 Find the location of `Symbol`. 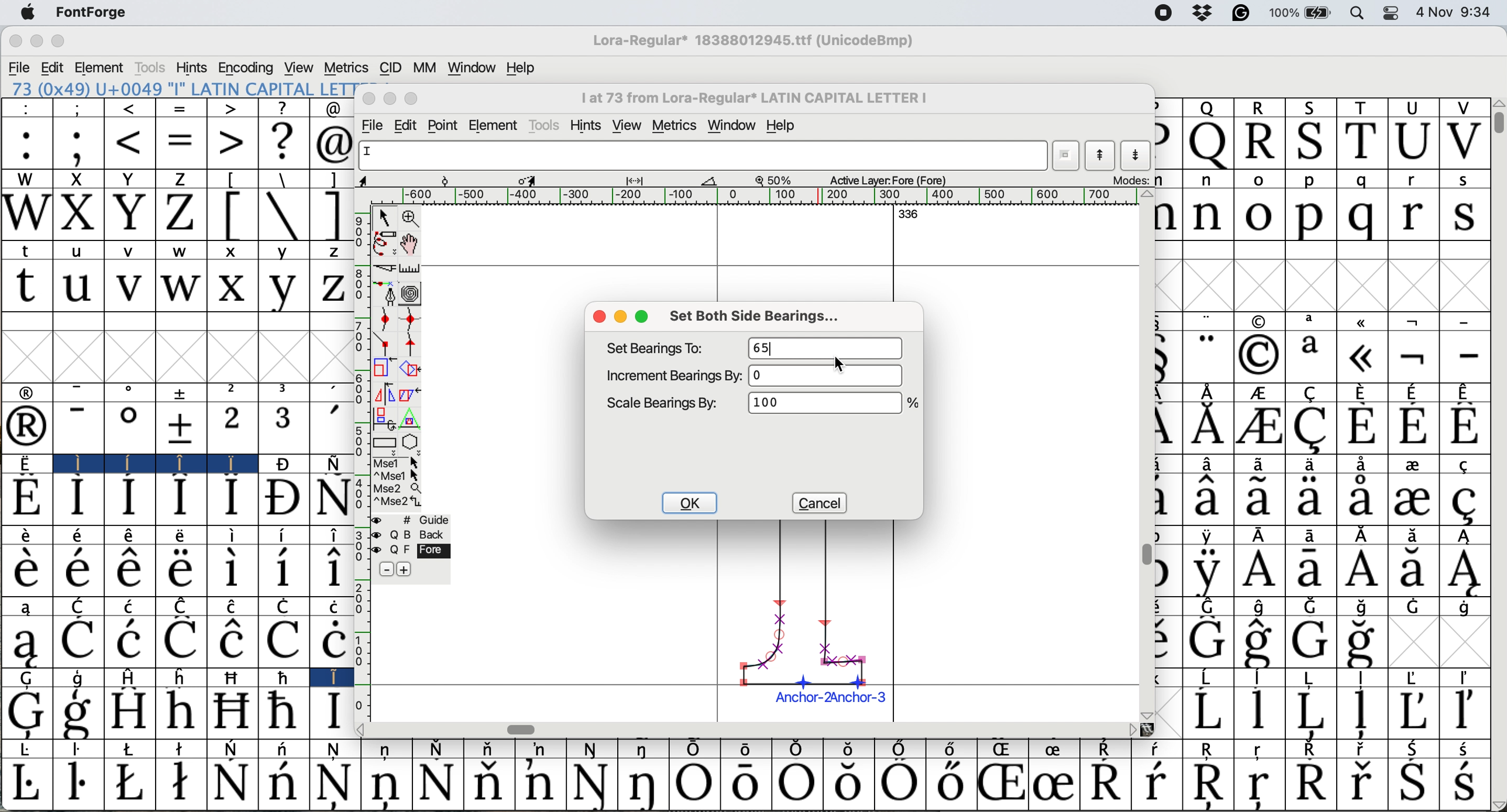

Symbol is located at coordinates (23, 713).